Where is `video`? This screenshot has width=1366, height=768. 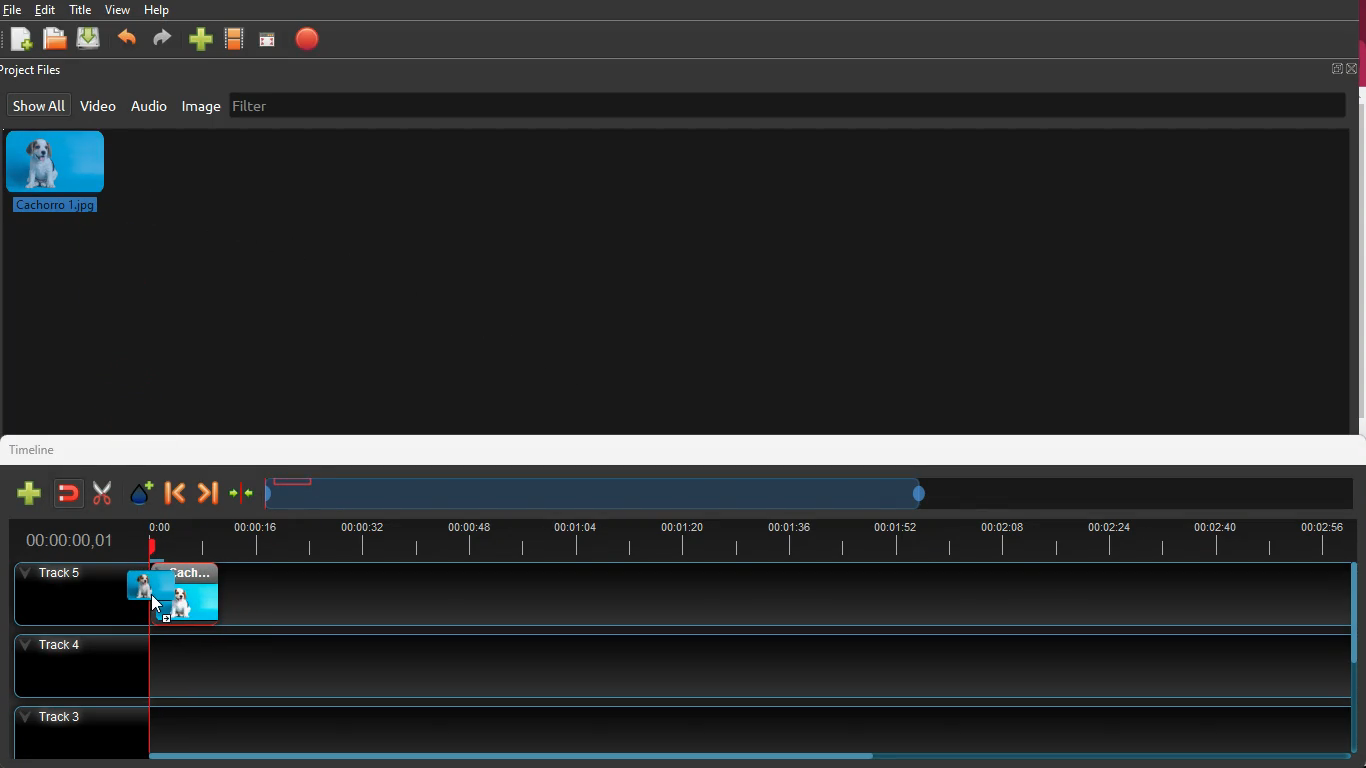 video is located at coordinates (98, 105).